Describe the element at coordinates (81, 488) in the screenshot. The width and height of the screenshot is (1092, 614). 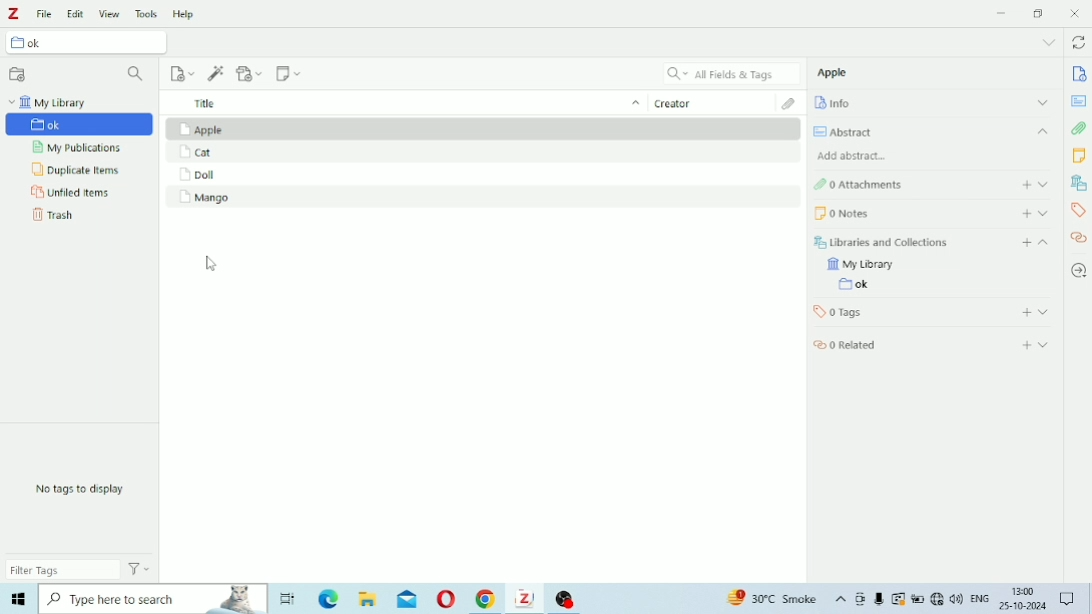
I see `No tags to display` at that location.